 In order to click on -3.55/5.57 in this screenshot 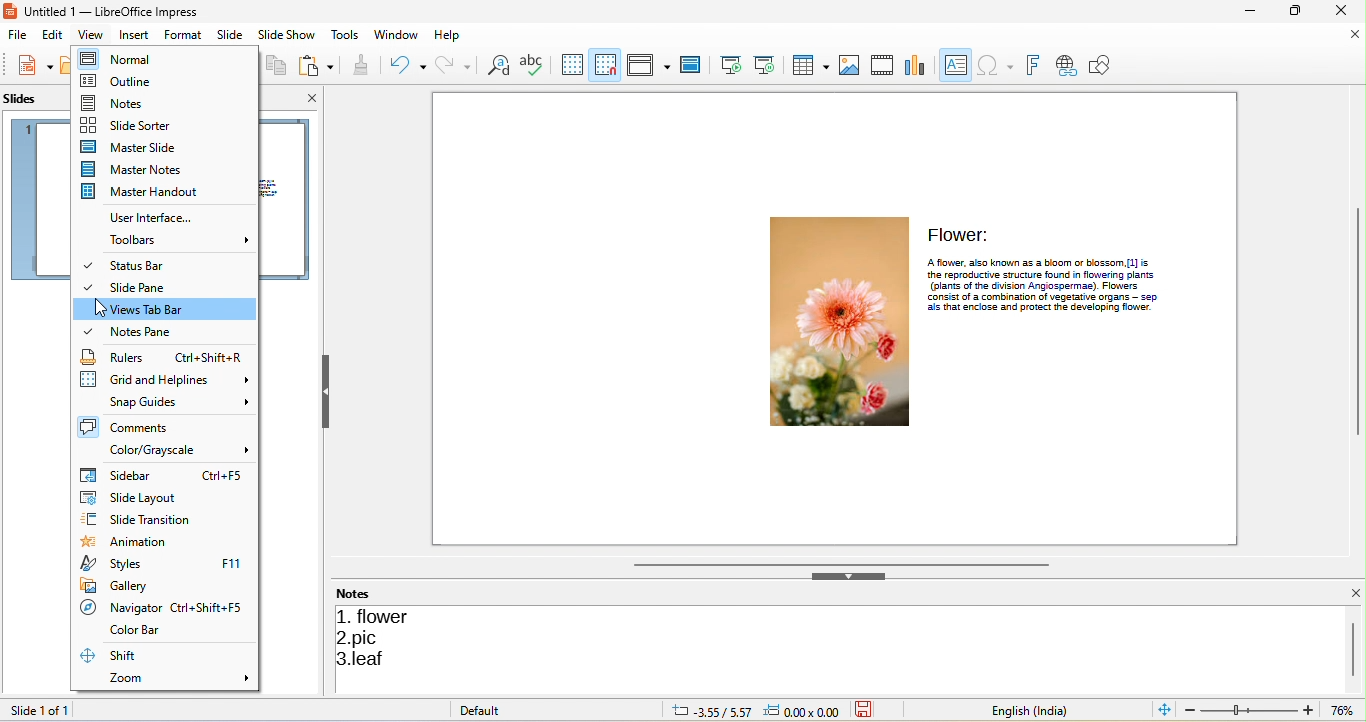, I will do `click(707, 710)`.